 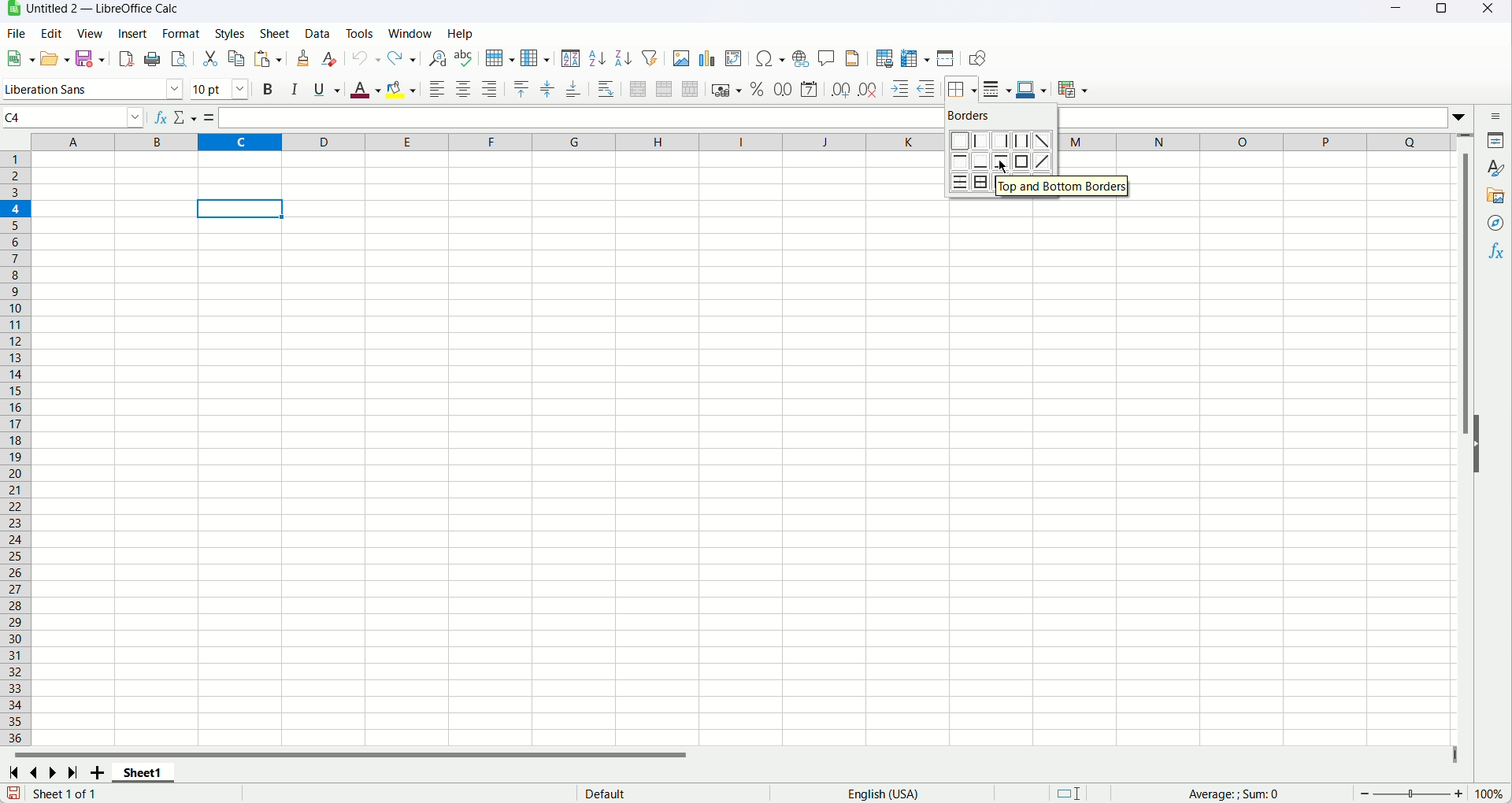 What do you see at coordinates (734, 58) in the screenshot?
I see `Insert pivot table` at bounding box center [734, 58].